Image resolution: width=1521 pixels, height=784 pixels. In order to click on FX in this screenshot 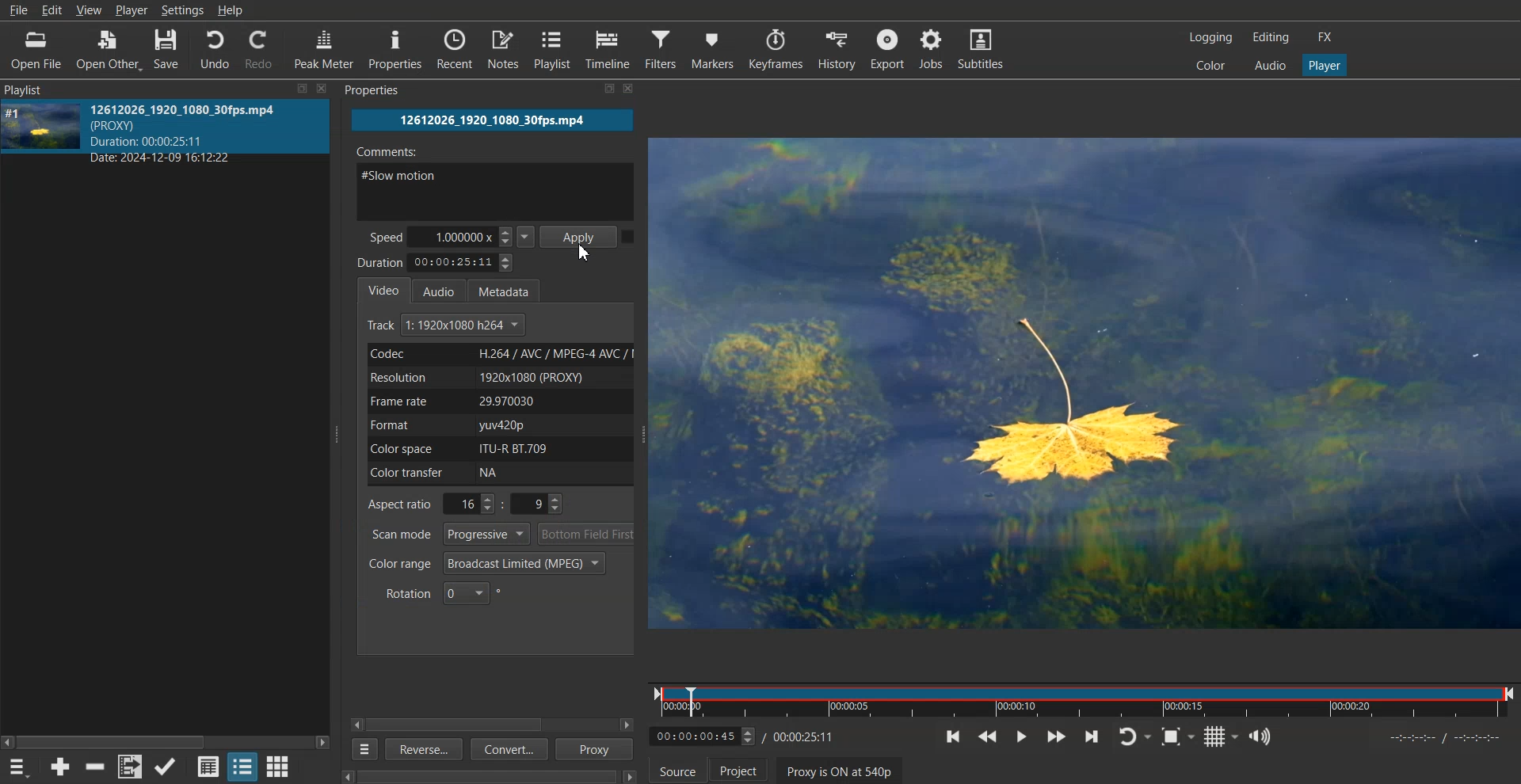, I will do `click(1327, 38)`.